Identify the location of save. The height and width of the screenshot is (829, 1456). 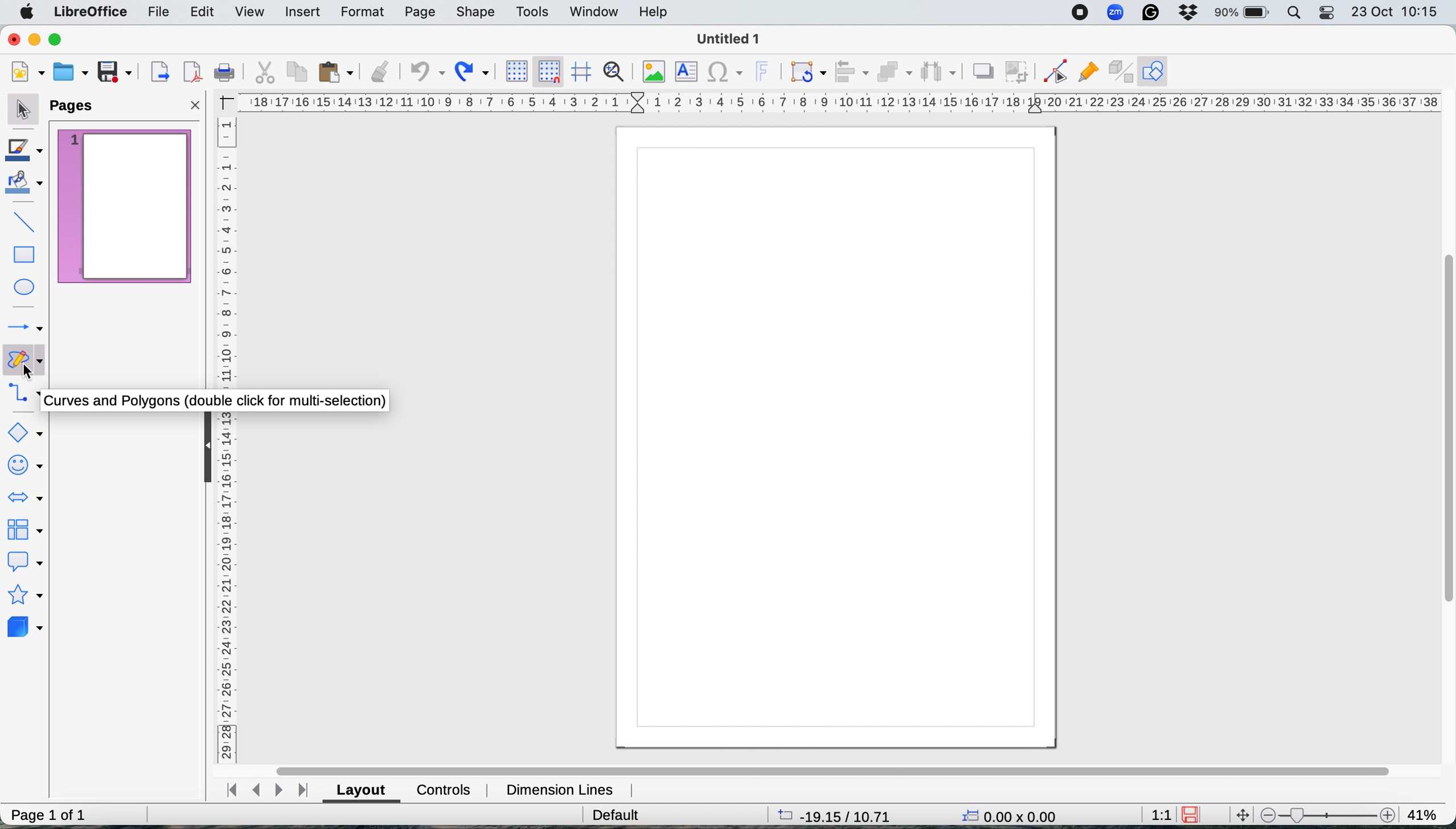
(1189, 816).